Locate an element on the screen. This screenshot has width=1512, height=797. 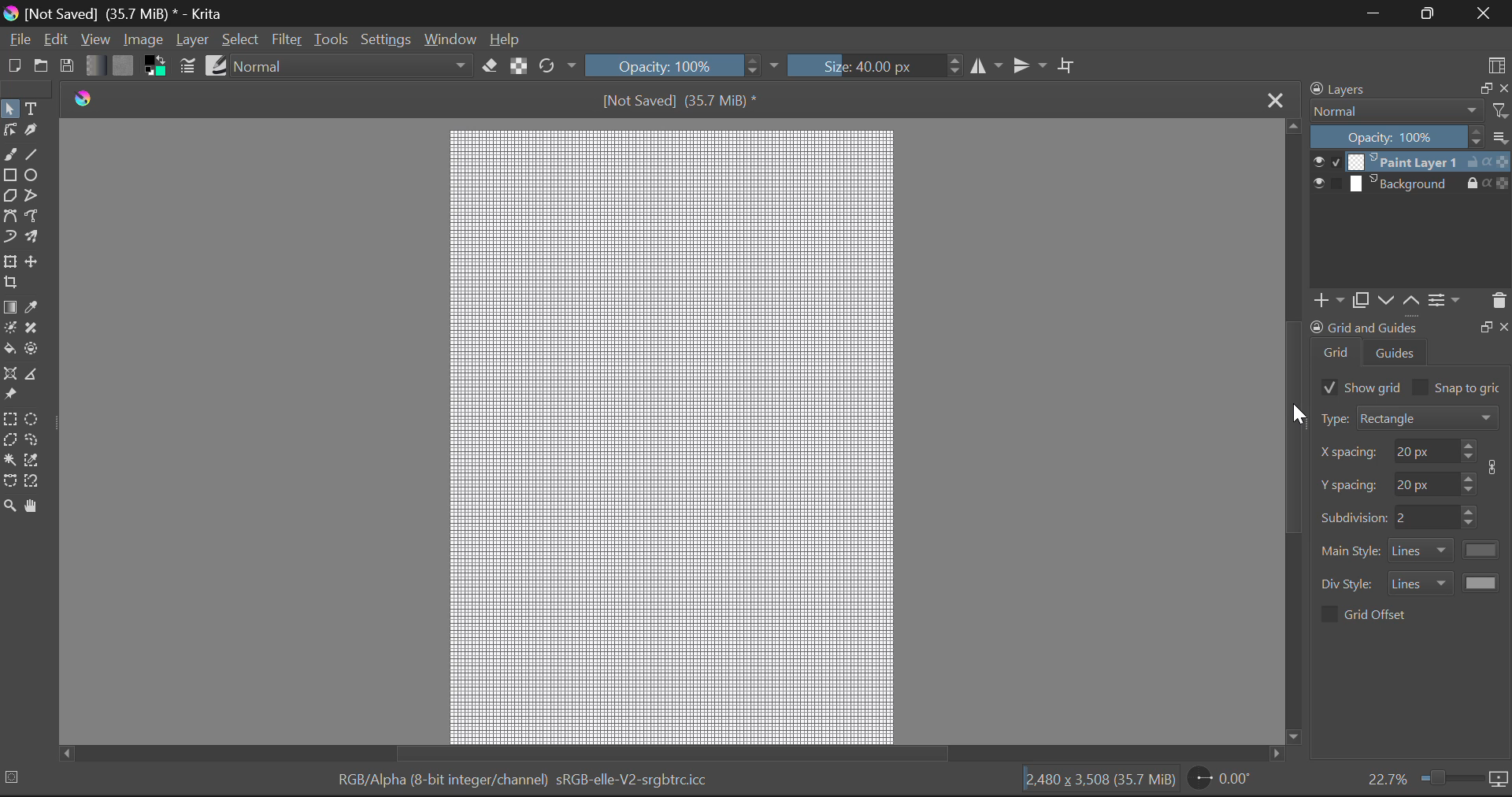
opacity is located at coordinates (1397, 136).